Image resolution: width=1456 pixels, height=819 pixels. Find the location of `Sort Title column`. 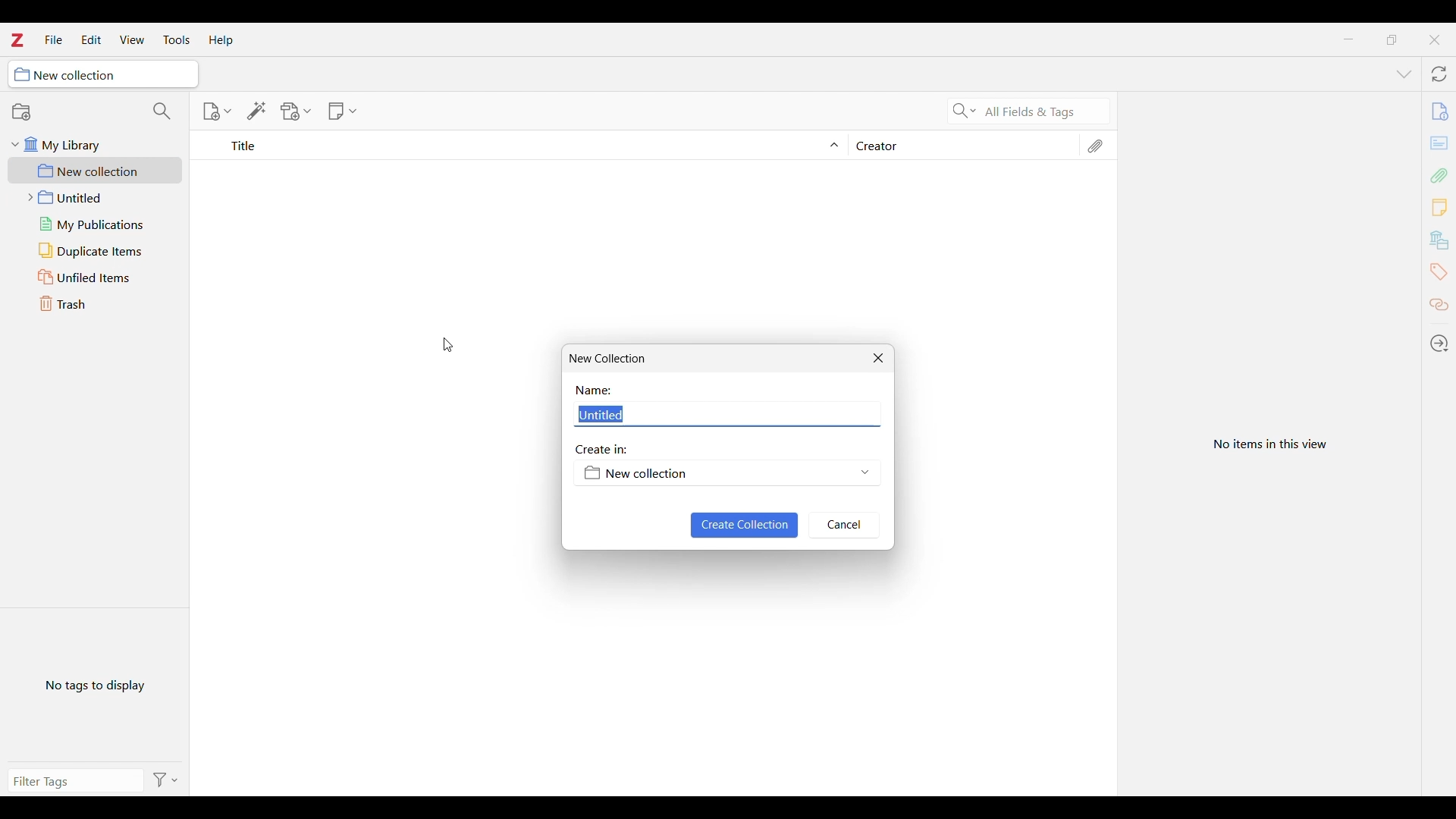

Sort Title column is located at coordinates (529, 146).